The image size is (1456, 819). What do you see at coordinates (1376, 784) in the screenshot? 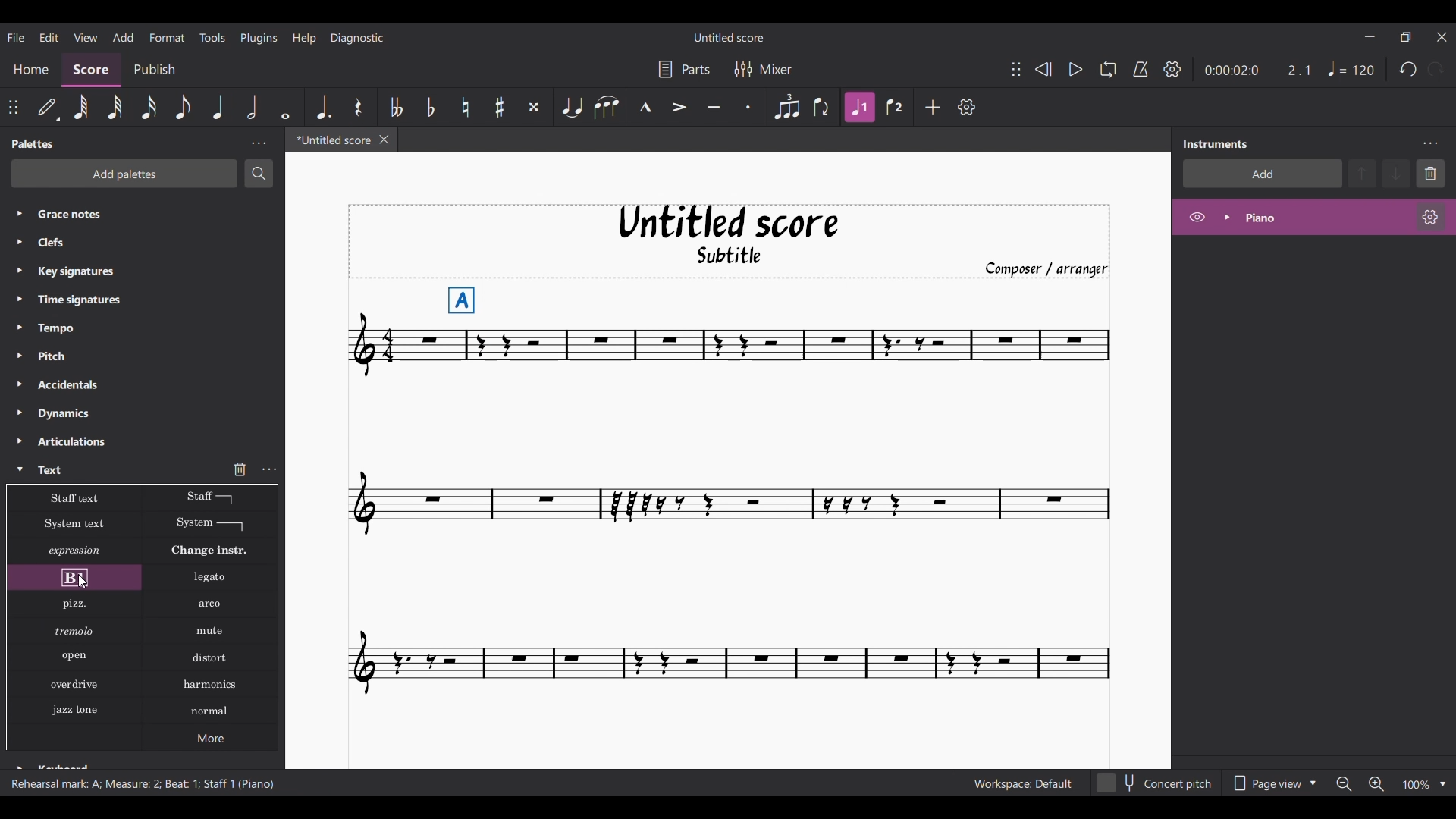
I see `Zoom in` at bounding box center [1376, 784].